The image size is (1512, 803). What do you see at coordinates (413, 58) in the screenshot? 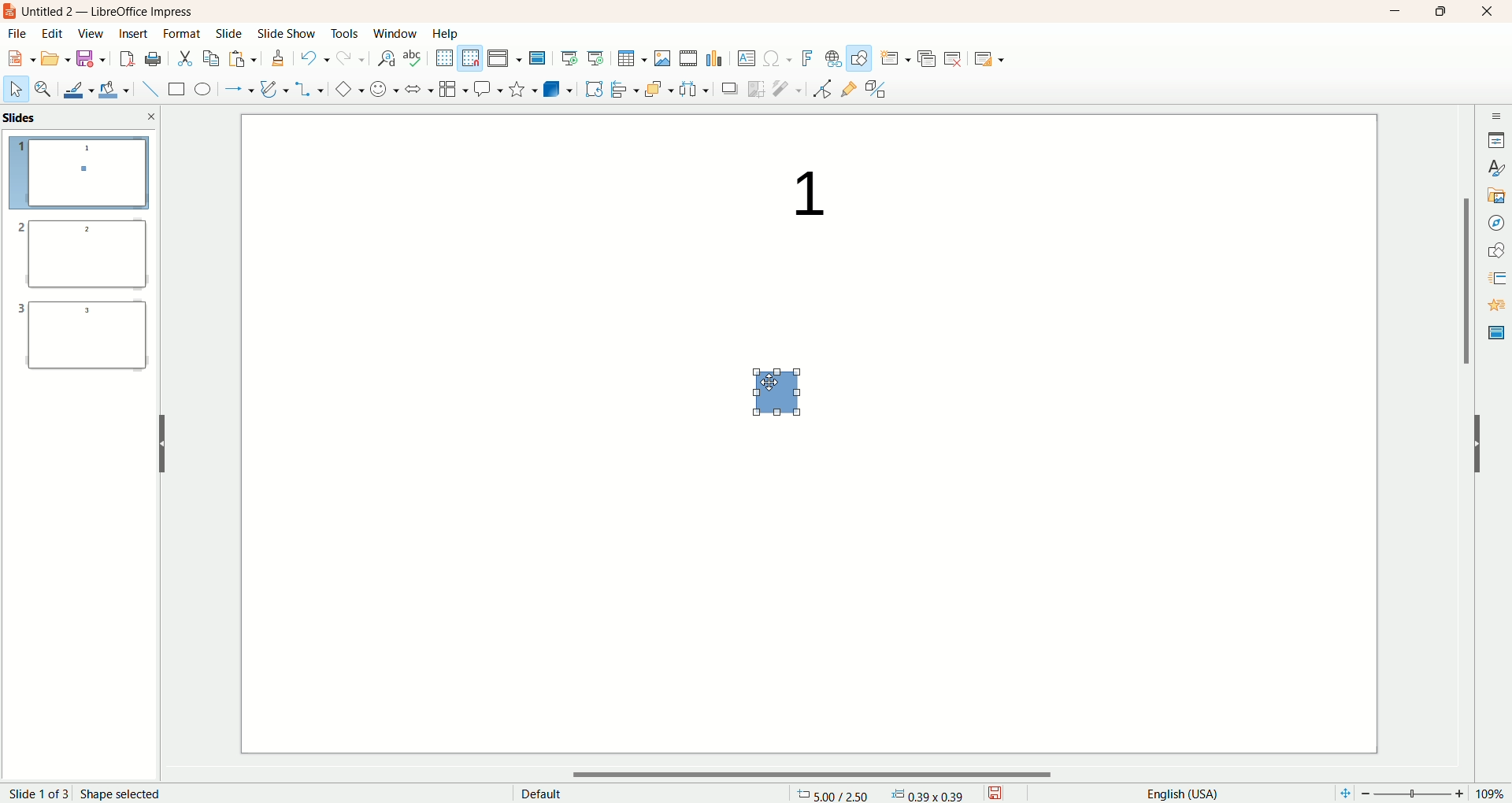
I see `spelling` at bounding box center [413, 58].